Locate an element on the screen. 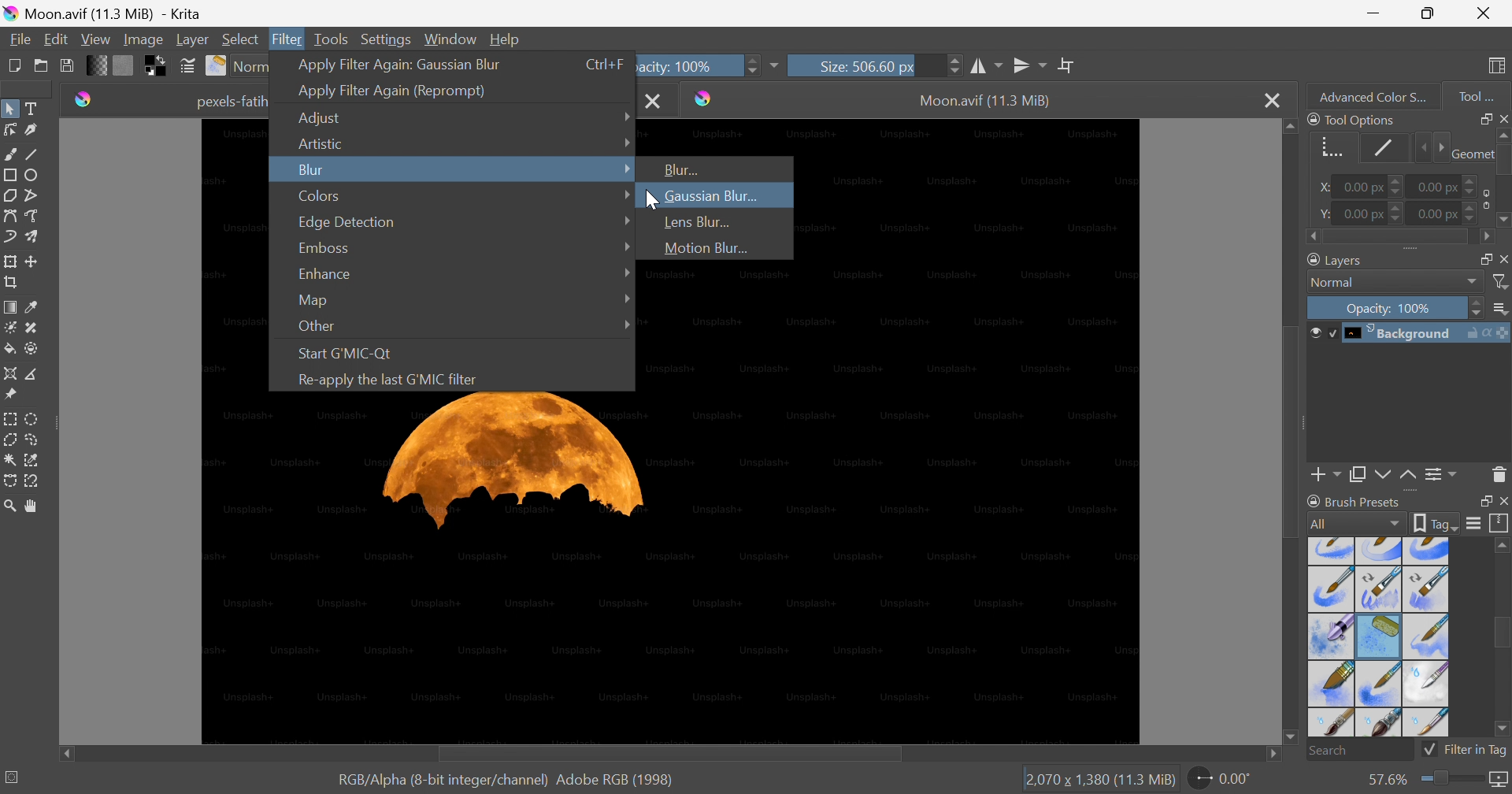 Image resolution: width=1512 pixels, height=794 pixels. Duplicate layer or mask down is located at coordinates (1357, 477).